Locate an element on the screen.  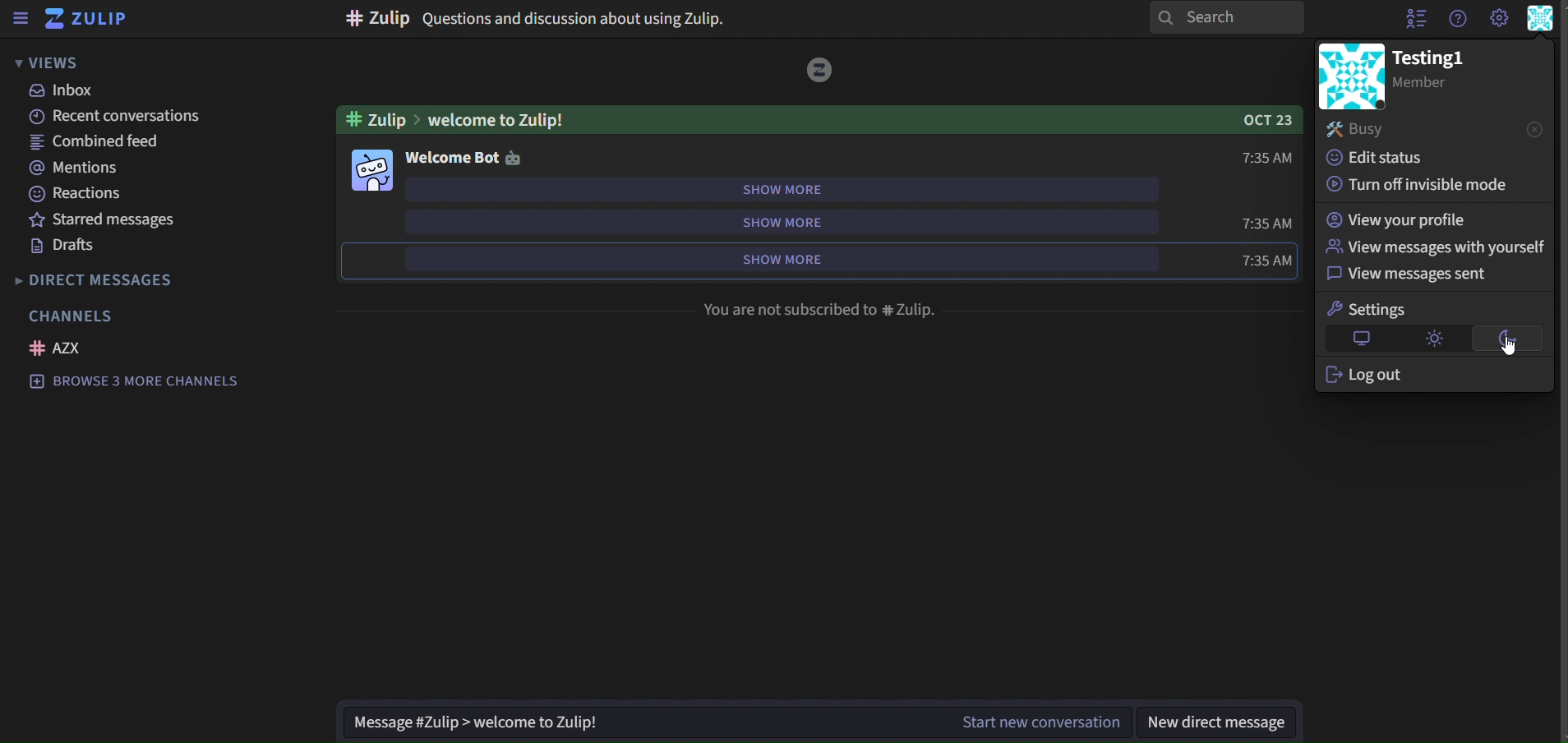
combined feed is located at coordinates (97, 142).